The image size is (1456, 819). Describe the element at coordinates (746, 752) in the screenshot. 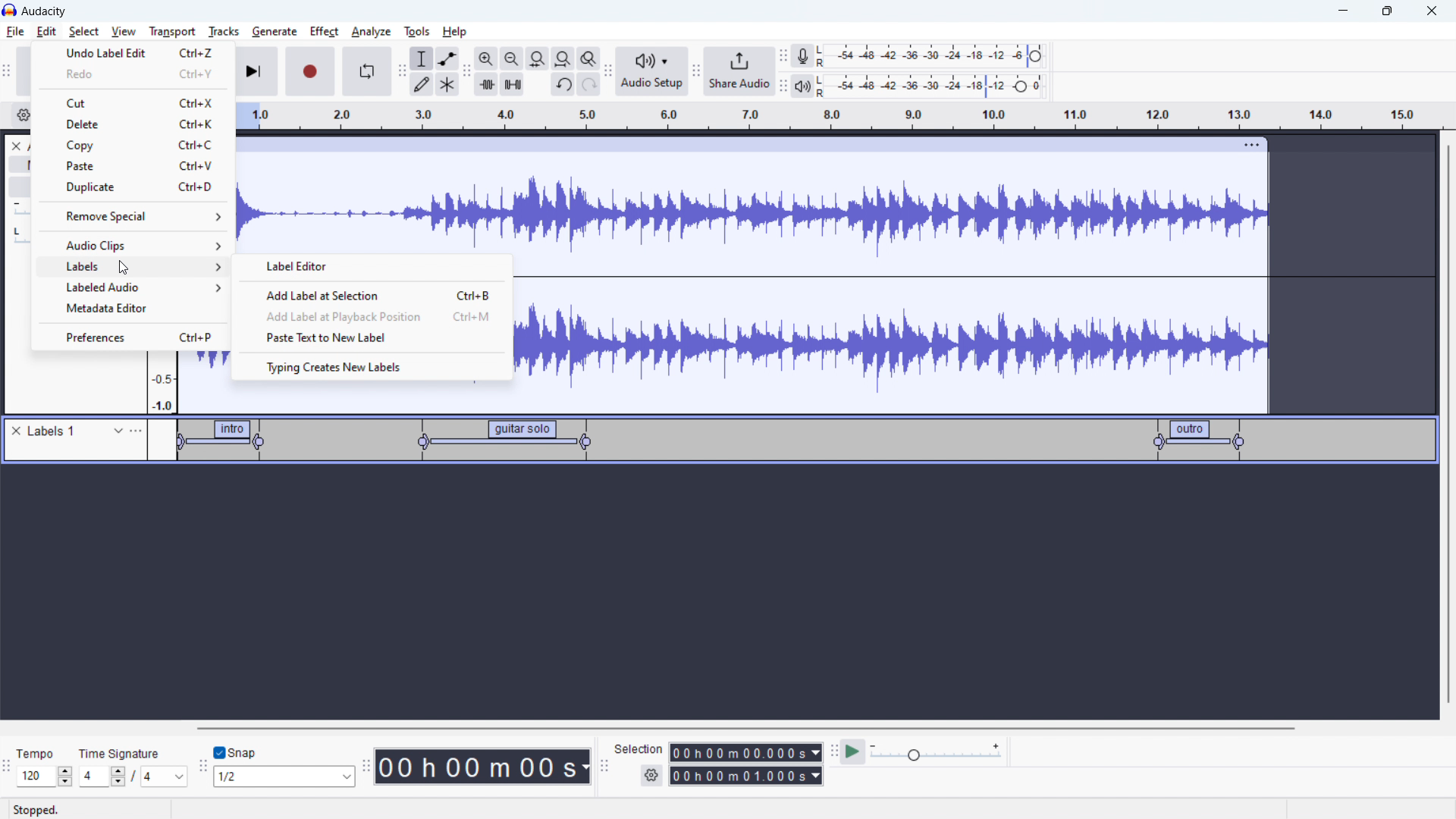

I see `selection start time` at that location.